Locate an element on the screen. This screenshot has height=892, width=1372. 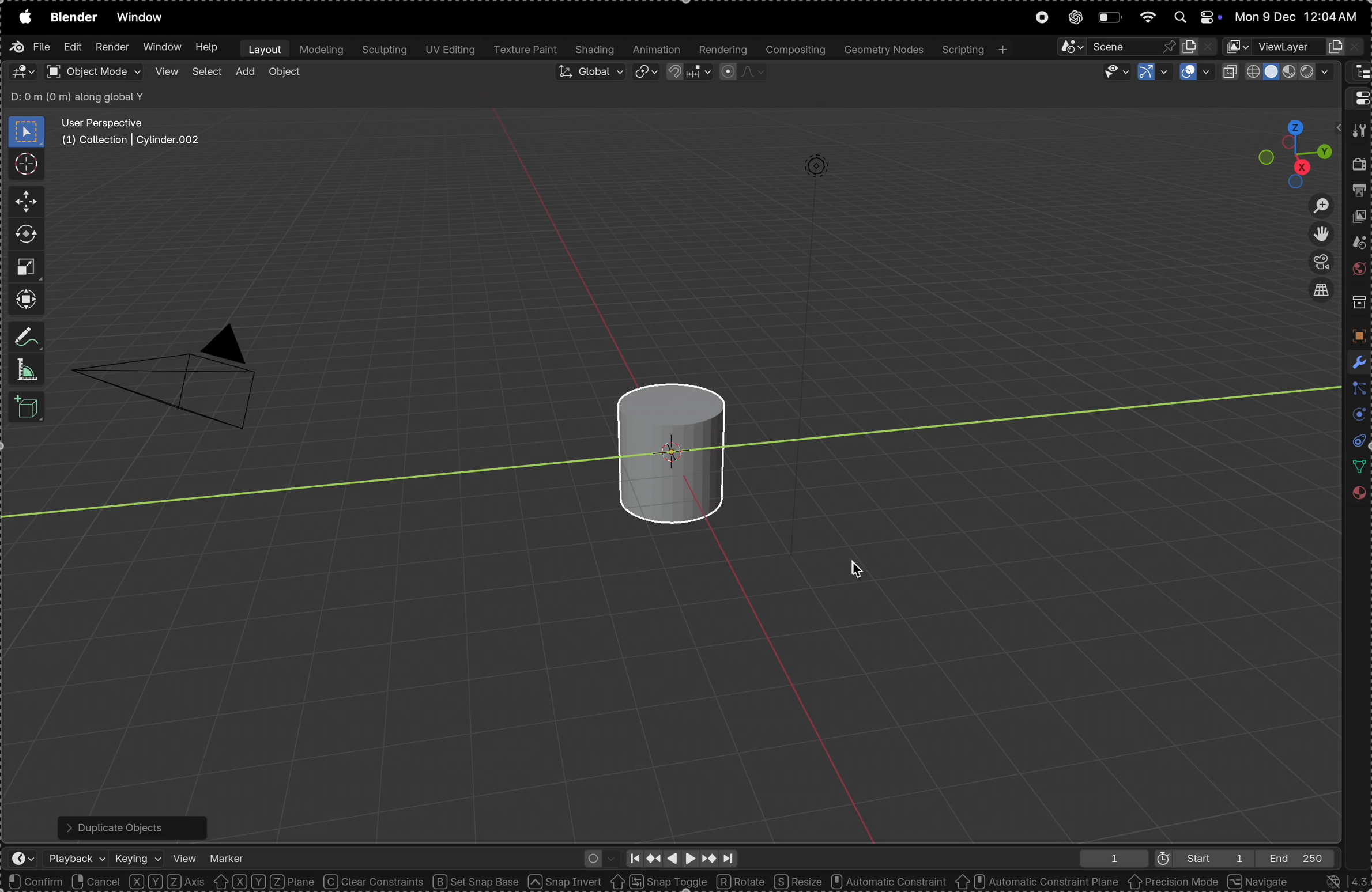
chatgpt is located at coordinates (1072, 18).